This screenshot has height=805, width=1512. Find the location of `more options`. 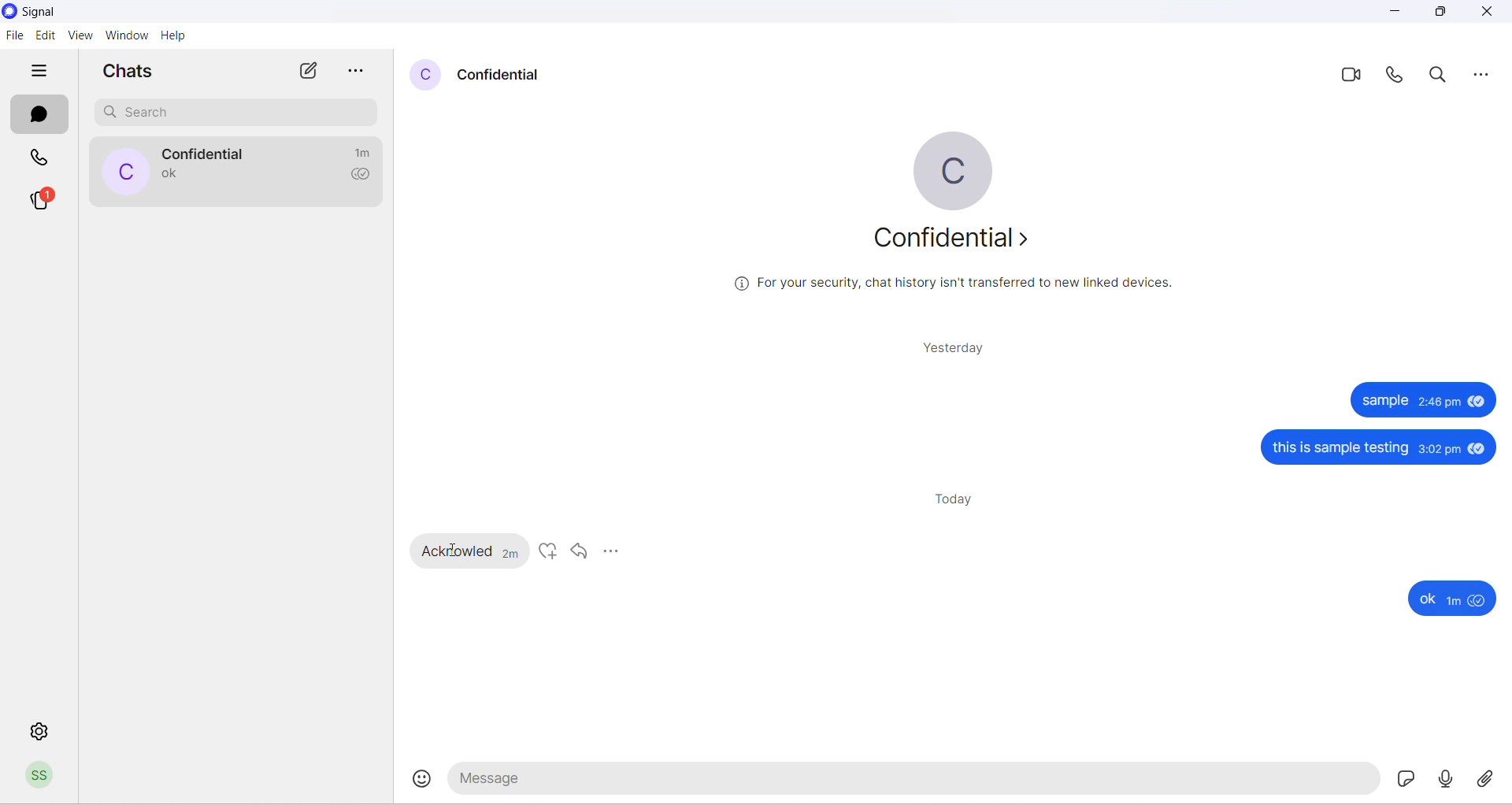

more options is located at coordinates (617, 553).